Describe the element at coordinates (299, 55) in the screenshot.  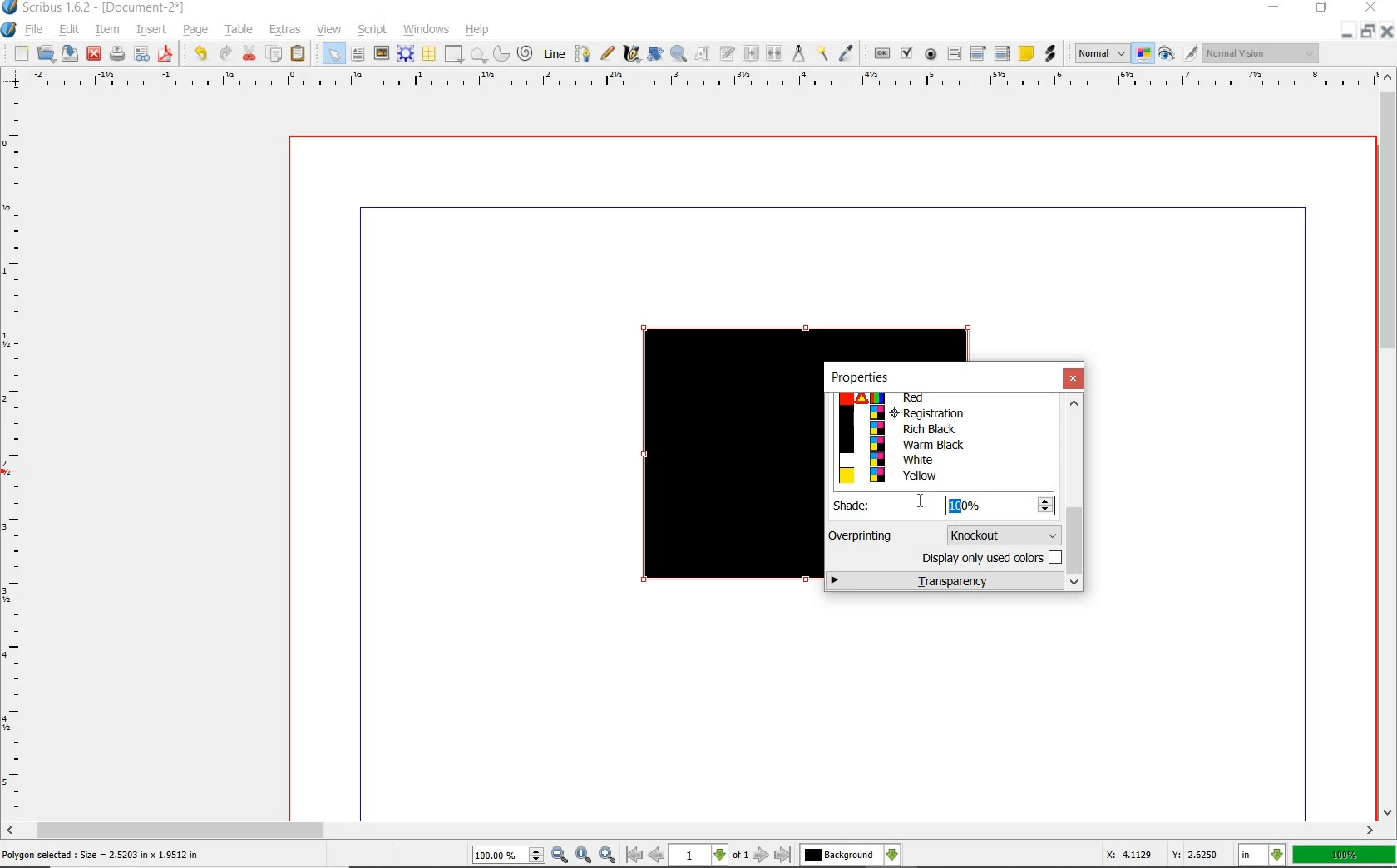
I see `paste` at that location.